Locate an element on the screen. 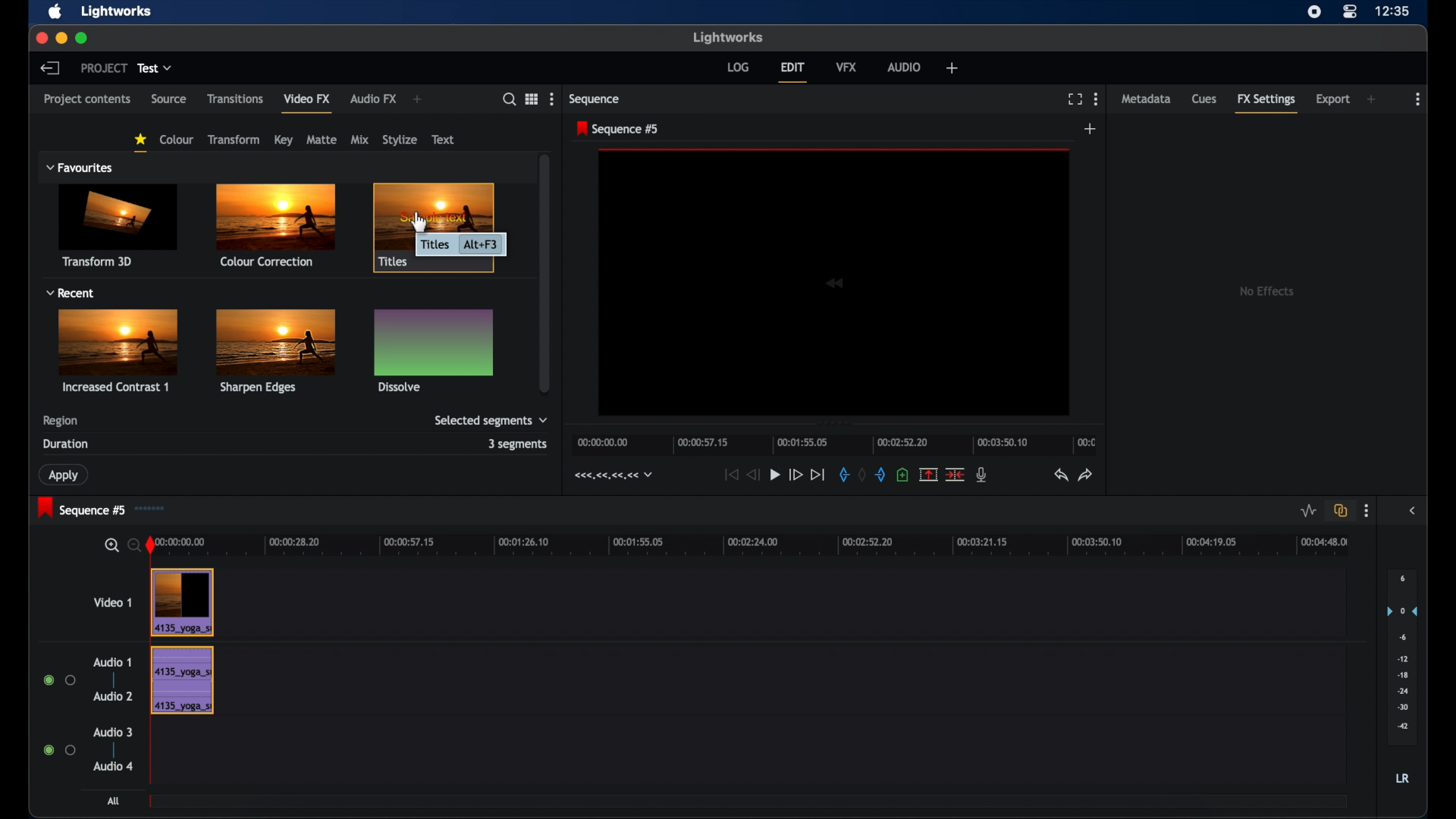 Image resolution: width=1456 pixels, height=819 pixels. metadata is located at coordinates (1146, 98).